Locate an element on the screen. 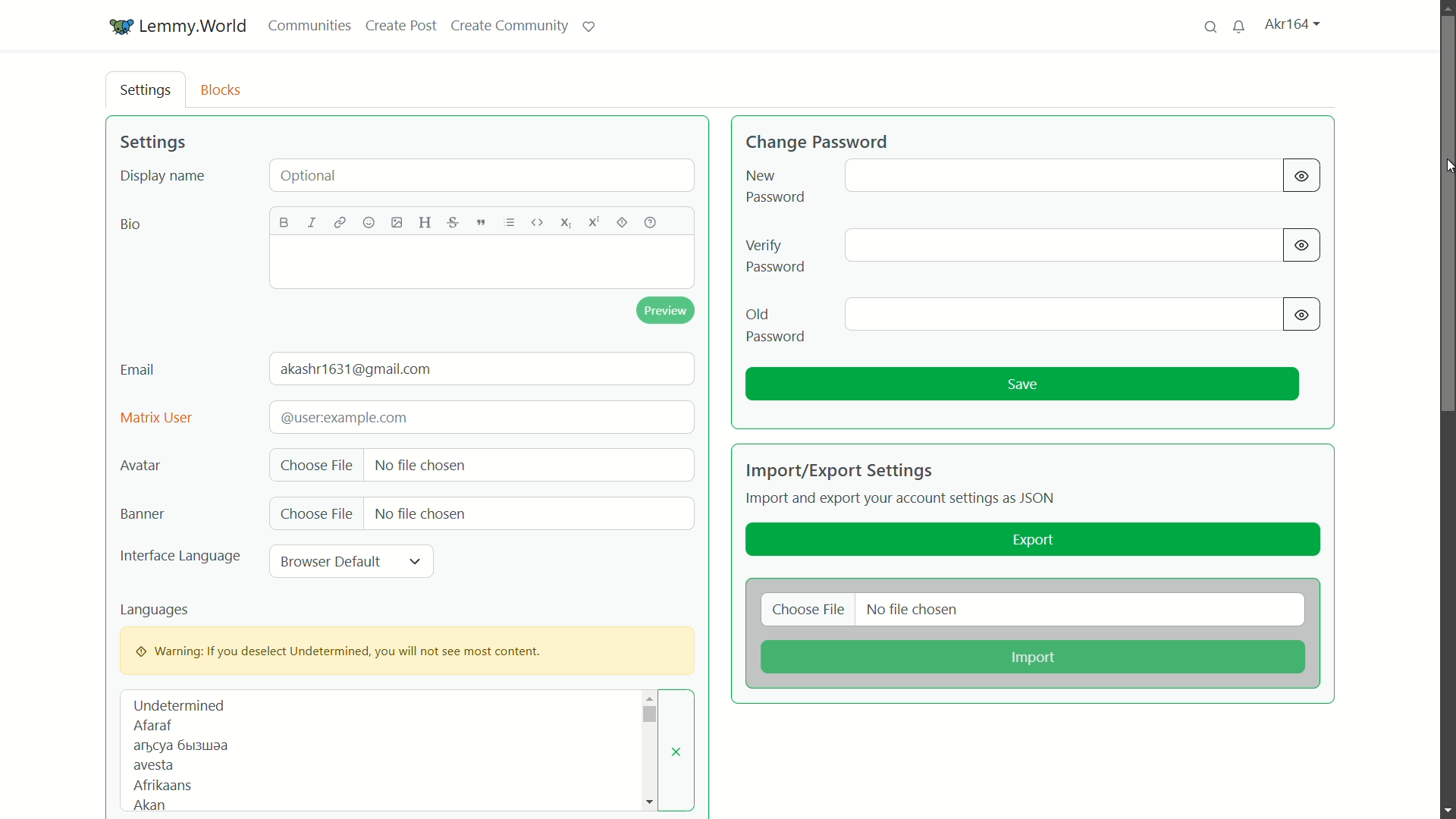 This screenshot has width=1456, height=819. search is located at coordinates (1210, 27).